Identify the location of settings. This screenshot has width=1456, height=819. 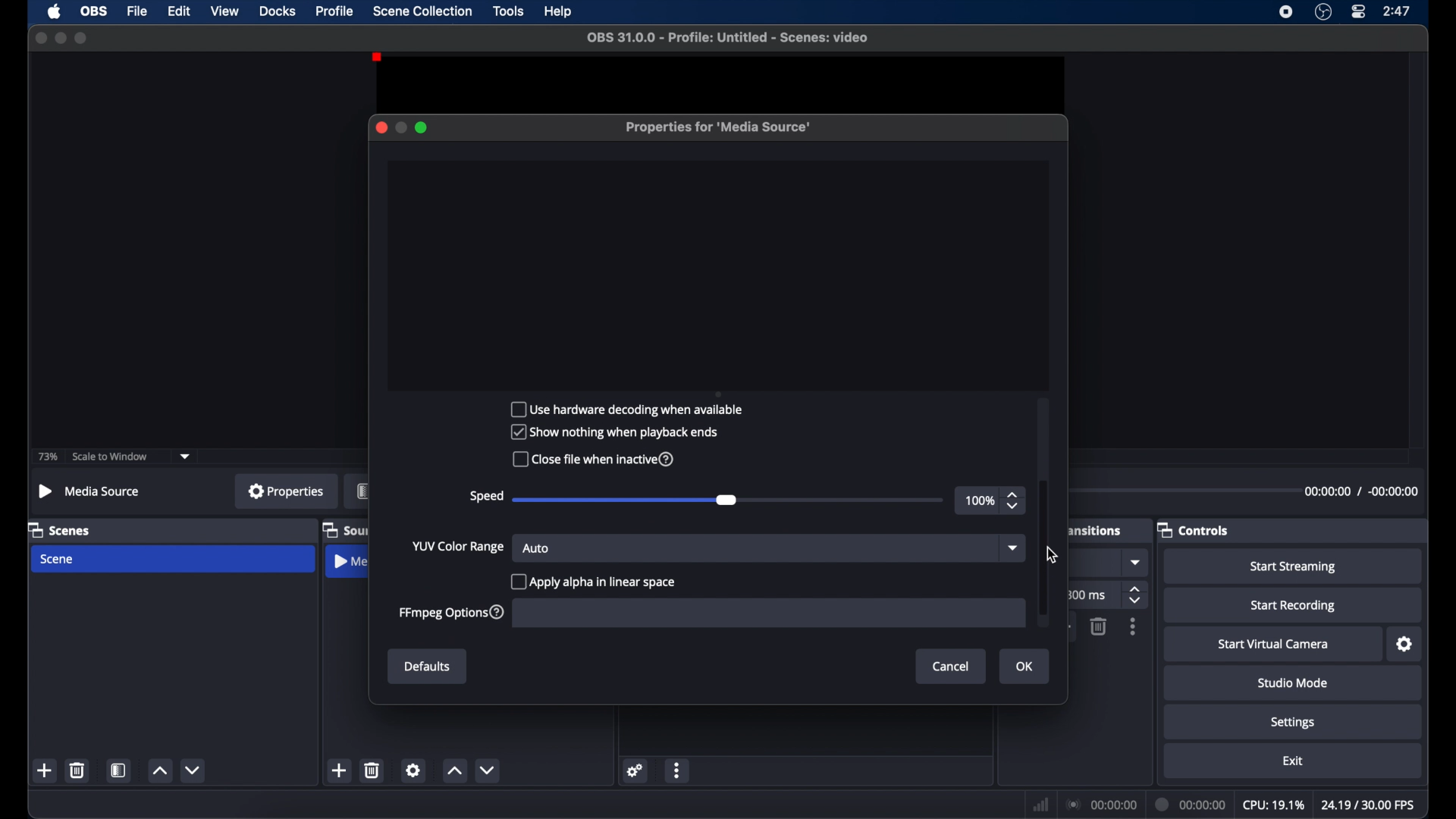
(413, 770).